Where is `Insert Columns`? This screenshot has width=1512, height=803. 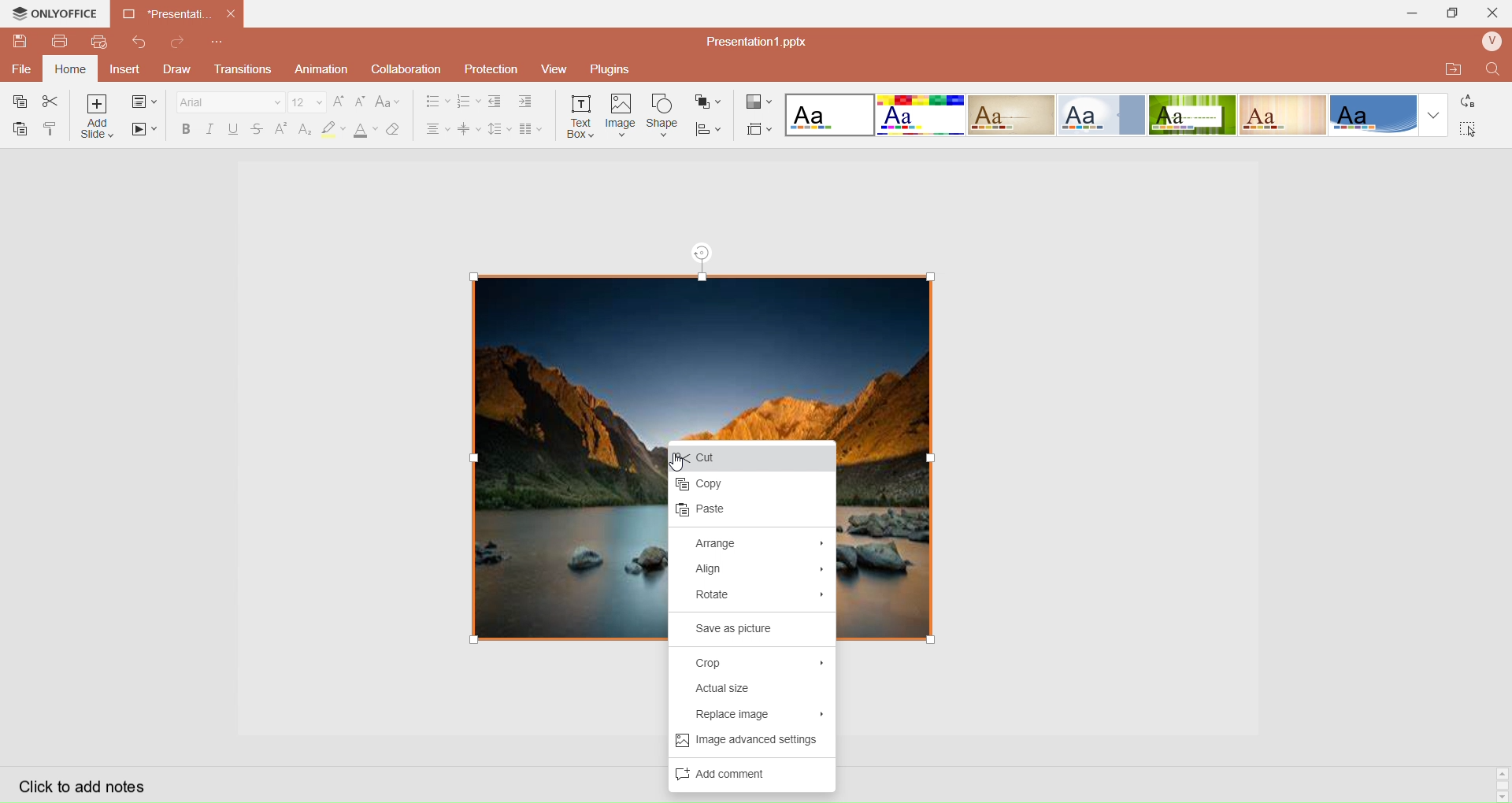
Insert Columns is located at coordinates (532, 129).